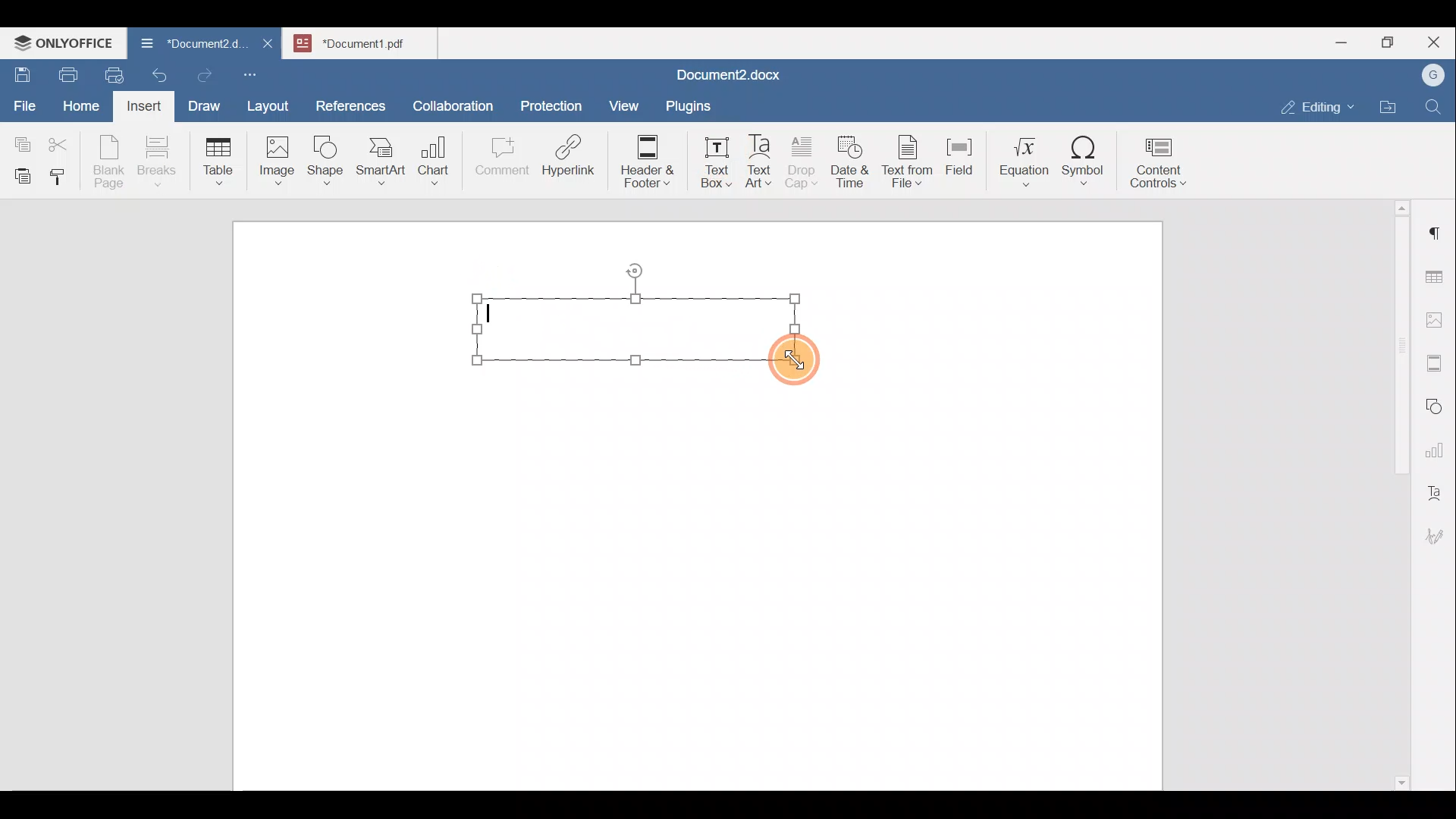 The height and width of the screenshot is (819, 1456). What do you see at coordinates (19, 172) in the screenshot?
I see `Paste` at bounding box center [19, 172].